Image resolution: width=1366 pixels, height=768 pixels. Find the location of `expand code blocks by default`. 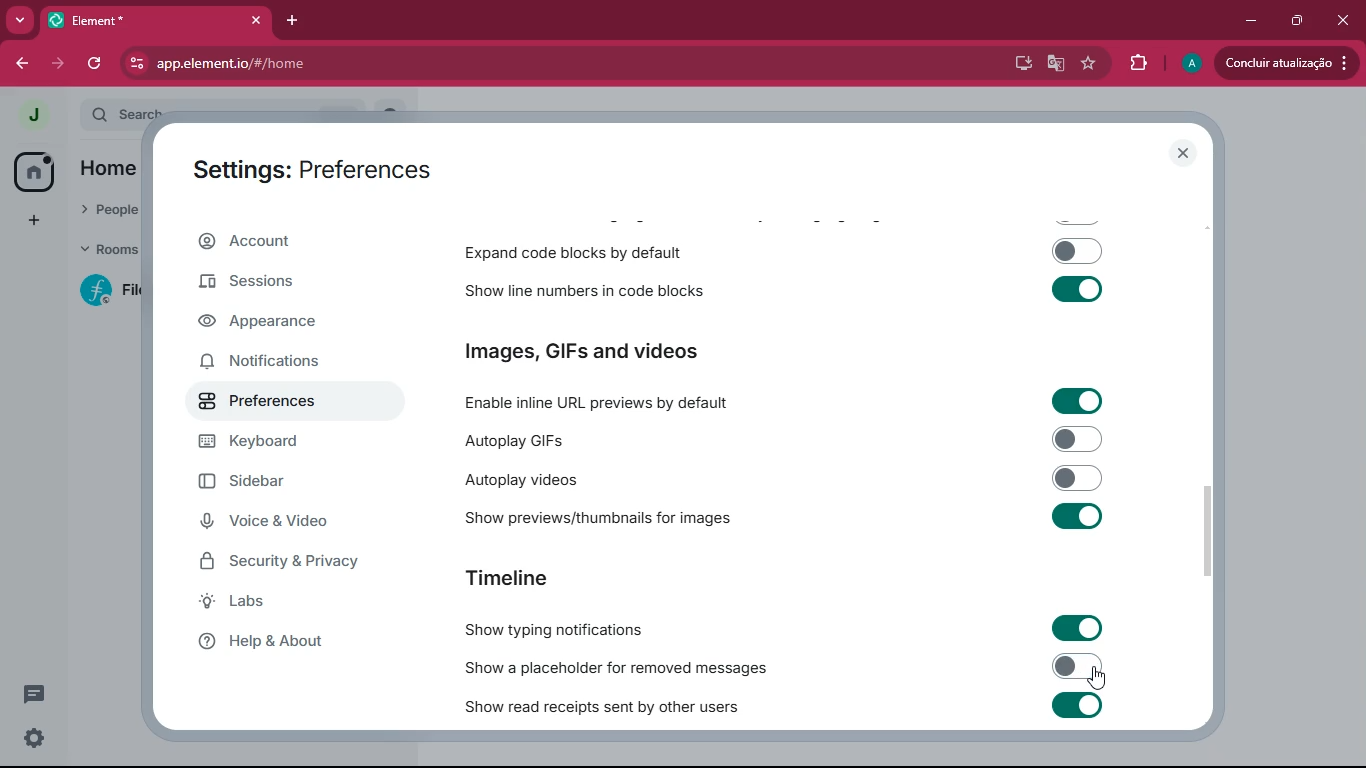

expand code blocks by default is located at coordinates (581, 250).